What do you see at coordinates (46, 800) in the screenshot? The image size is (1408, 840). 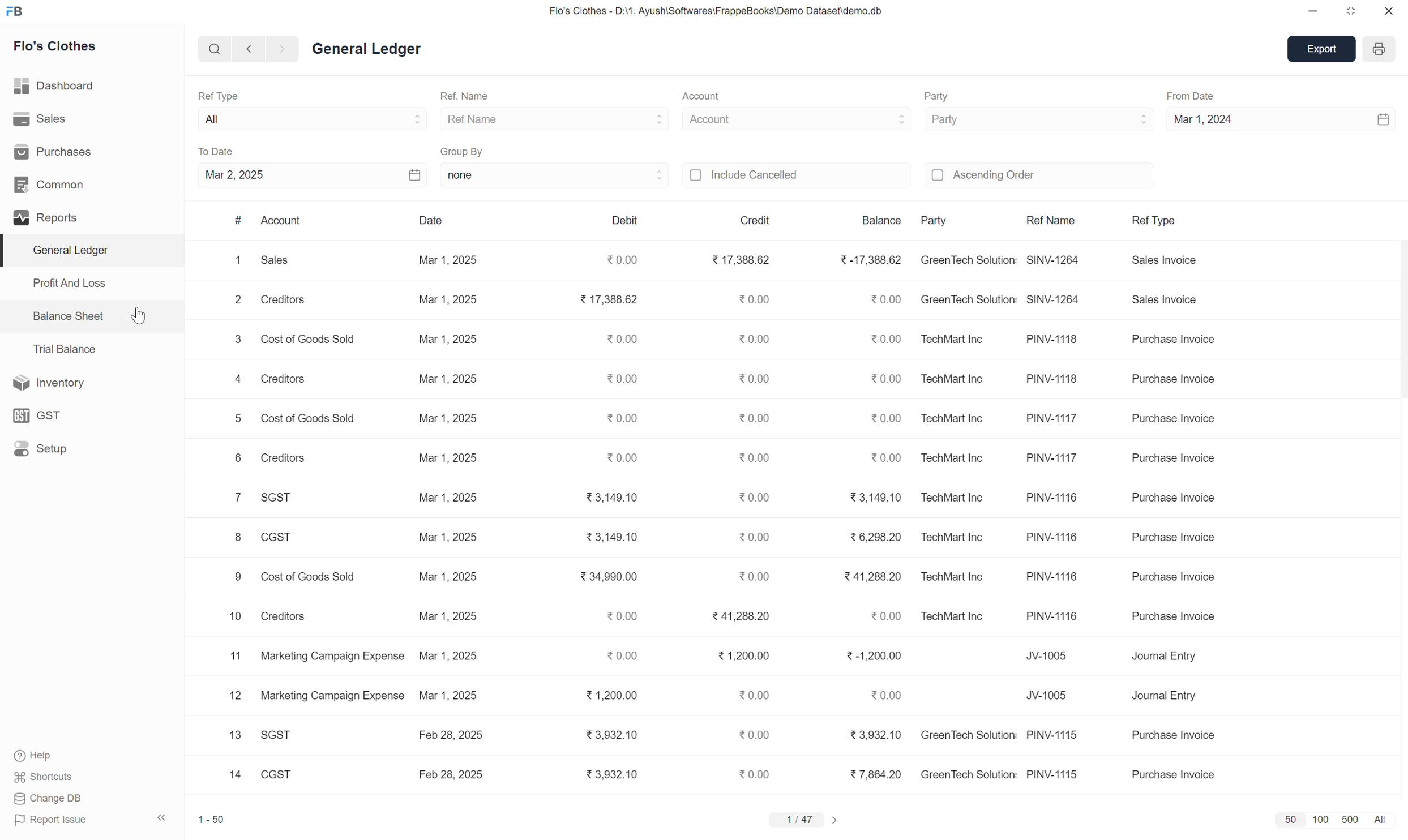 I see ` Change DB` at bounding box center [46, 800].